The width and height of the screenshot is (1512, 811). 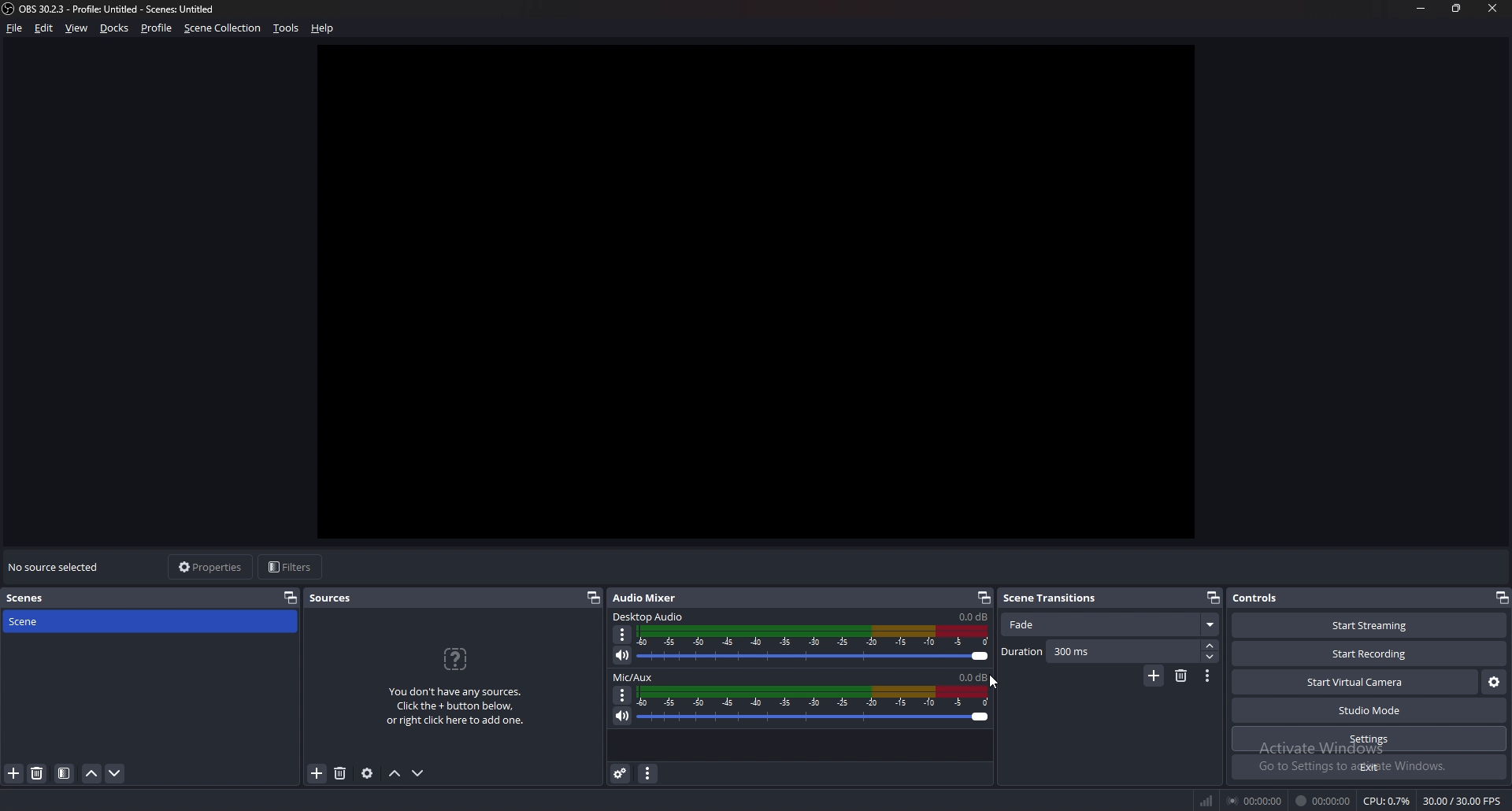 What do you see at coordinates (1421, 7) in the screenshot?
I see `minimize` at bounding box center [1421, 7].